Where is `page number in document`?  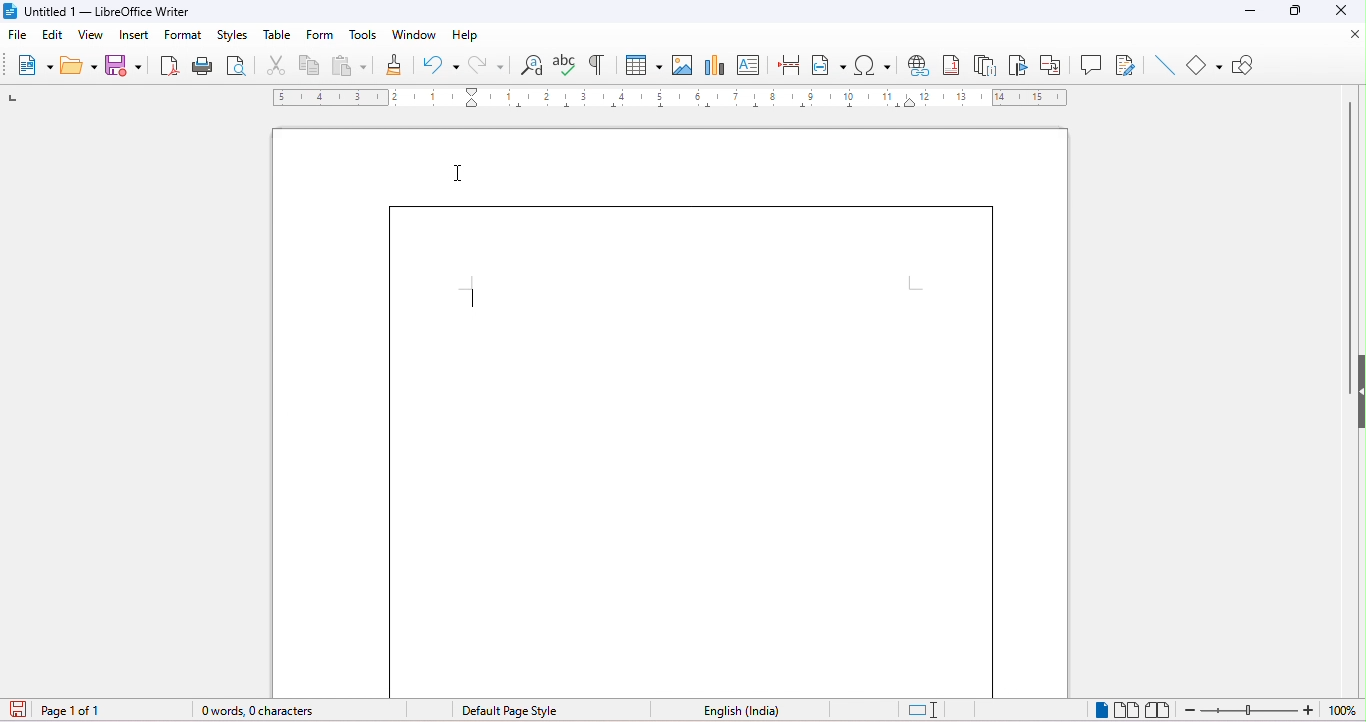
page number in document is located at coordinates (74, 710).